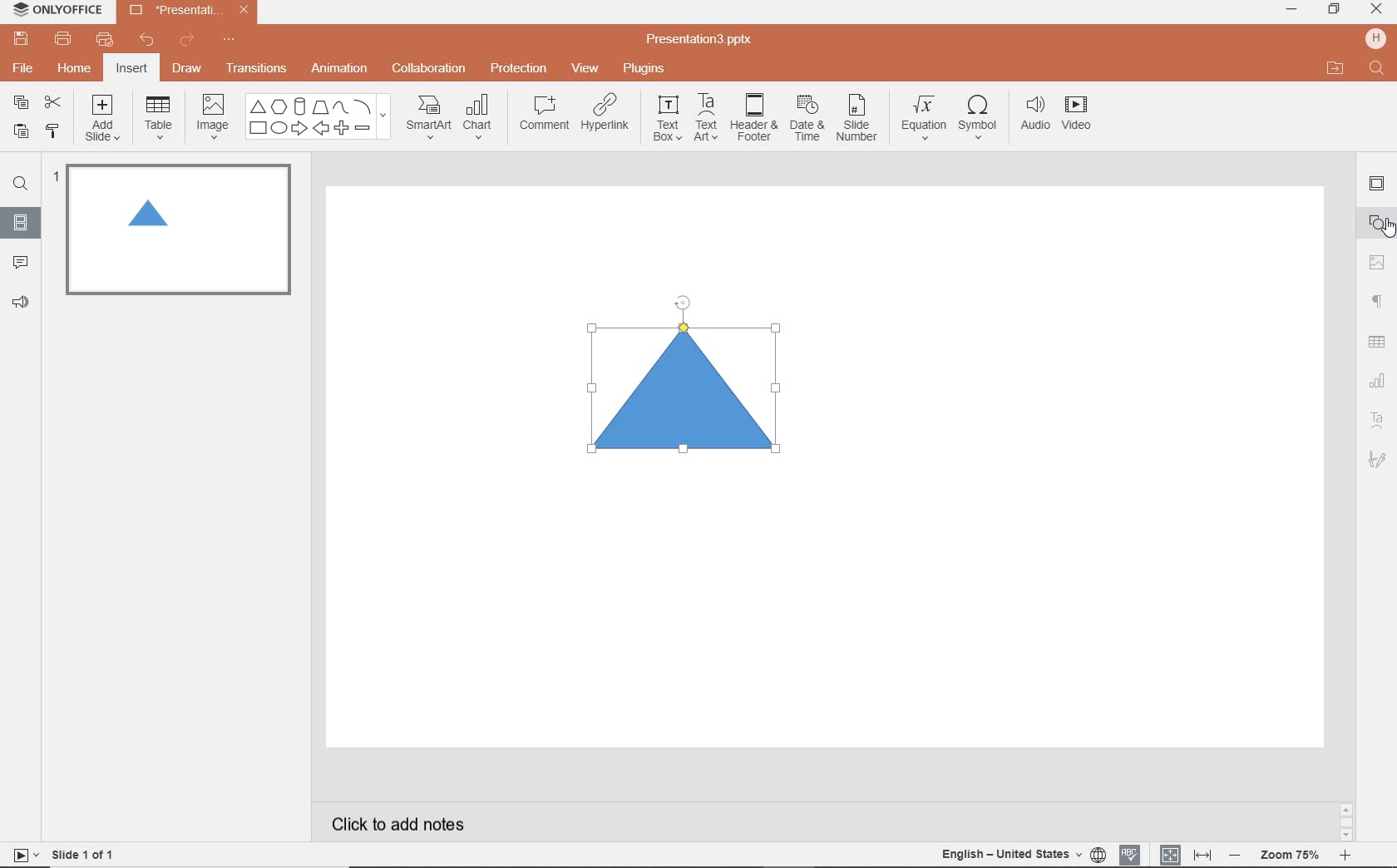  Describe the element at coordinates (20, 261) in the screenshot. I see `COMMENTS` at that location.